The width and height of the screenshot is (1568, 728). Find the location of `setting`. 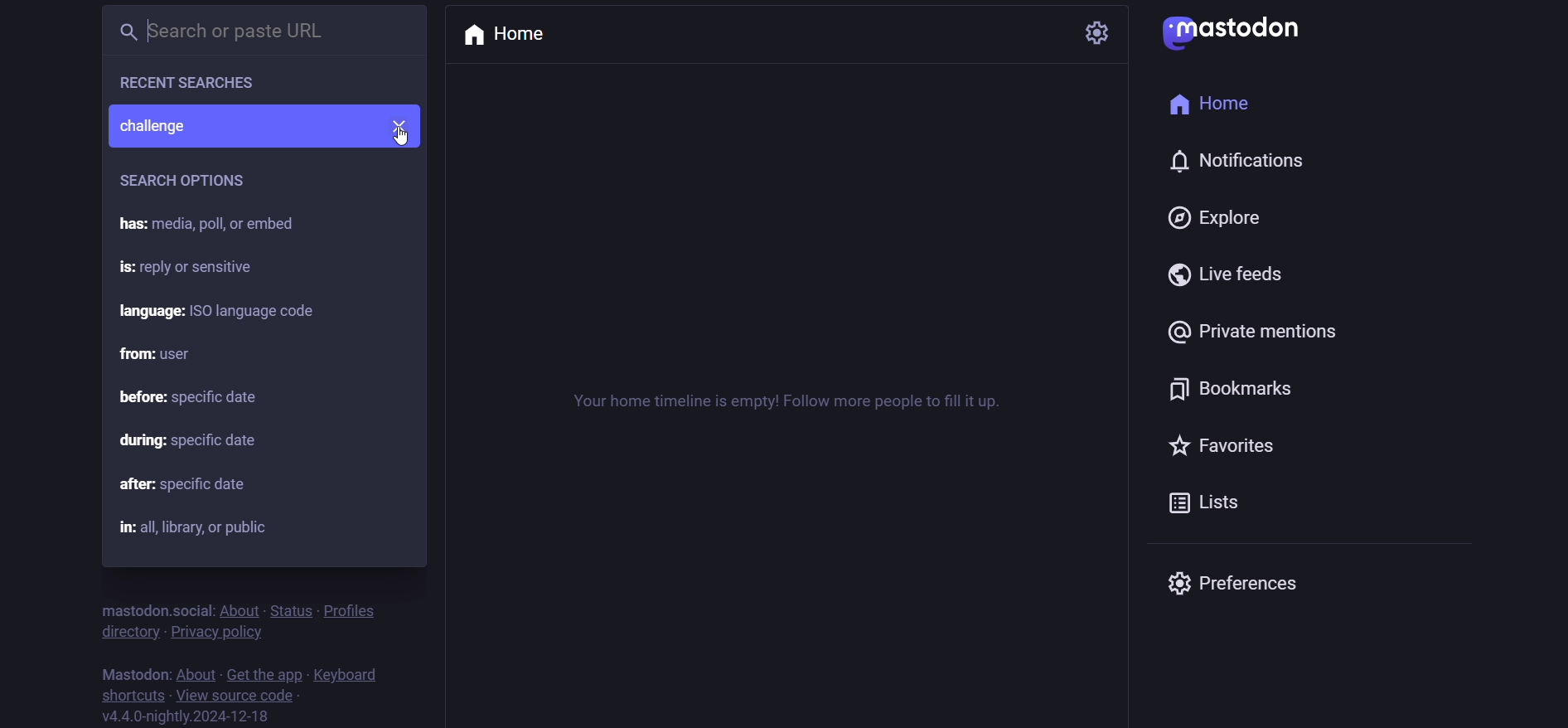

setting is located at coordinates (1100, 30).